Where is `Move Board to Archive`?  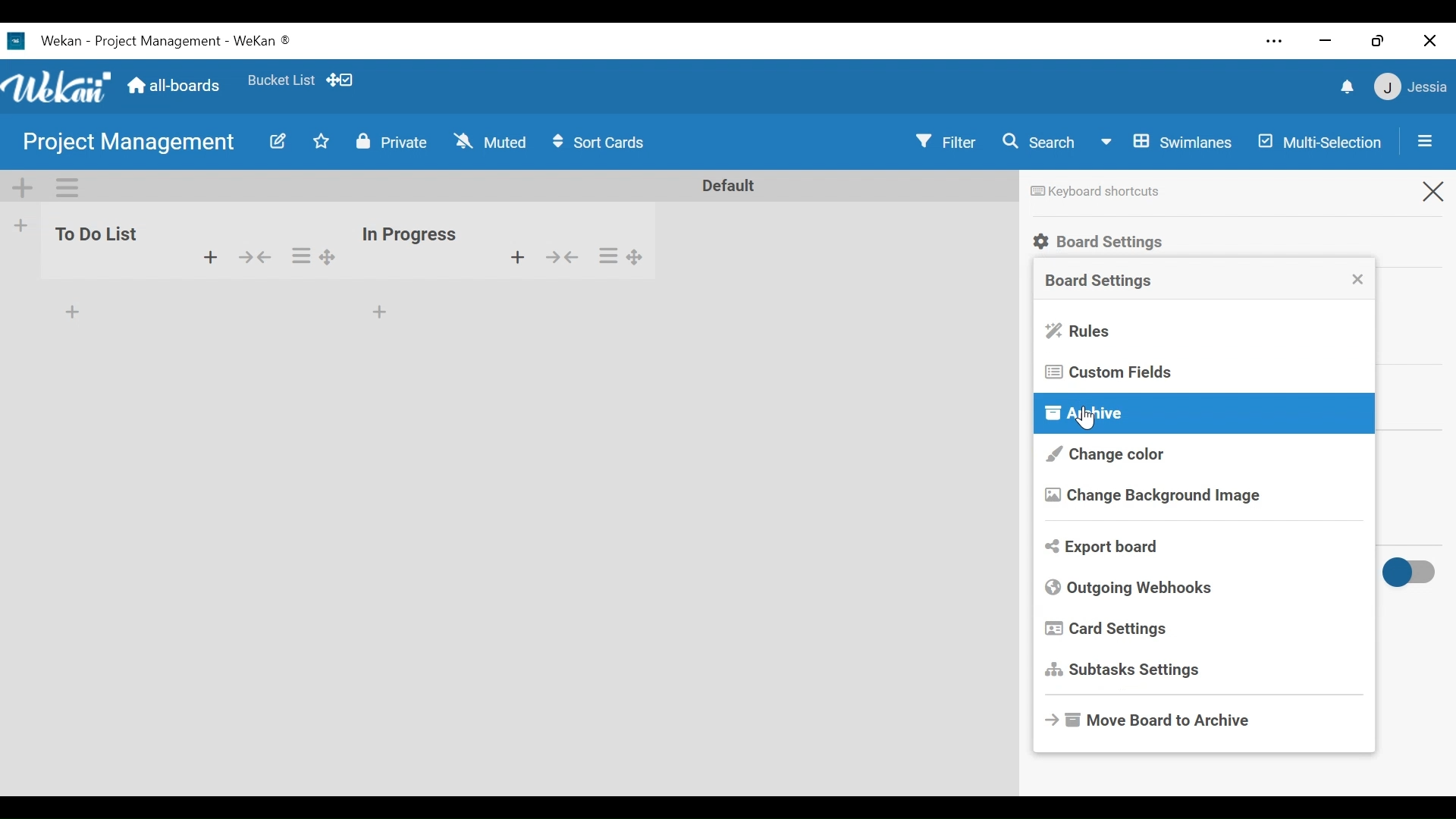
Move Board to Archive is located at coordinates (1150, 720).